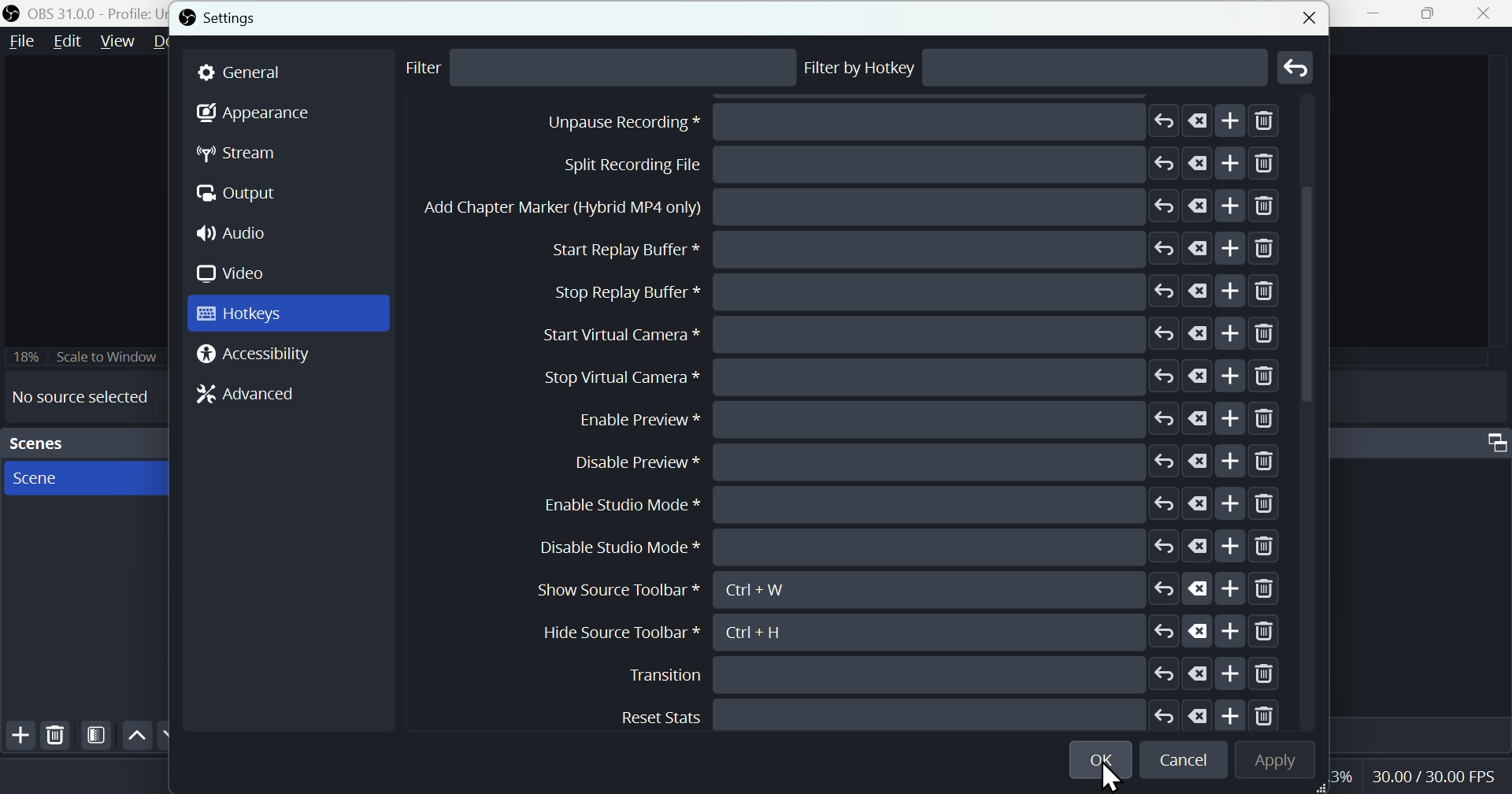  Describe the element at coordinates (258, 355) in the screenshot. I see `Accessibility` at that location.